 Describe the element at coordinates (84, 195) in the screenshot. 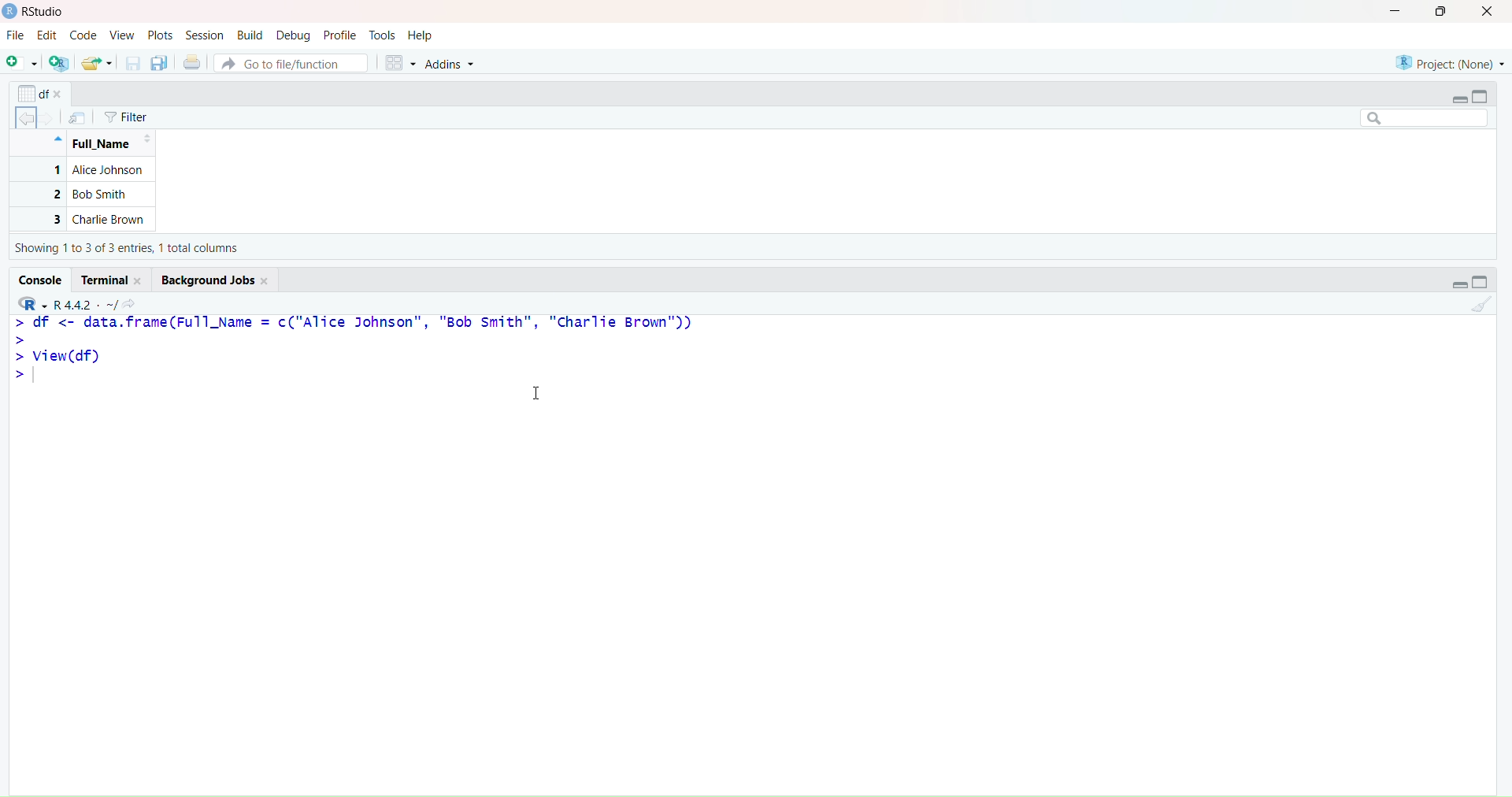

I see `1 Alice Johnson
2 Bob Smith
3 Charlie Brown` at that location.